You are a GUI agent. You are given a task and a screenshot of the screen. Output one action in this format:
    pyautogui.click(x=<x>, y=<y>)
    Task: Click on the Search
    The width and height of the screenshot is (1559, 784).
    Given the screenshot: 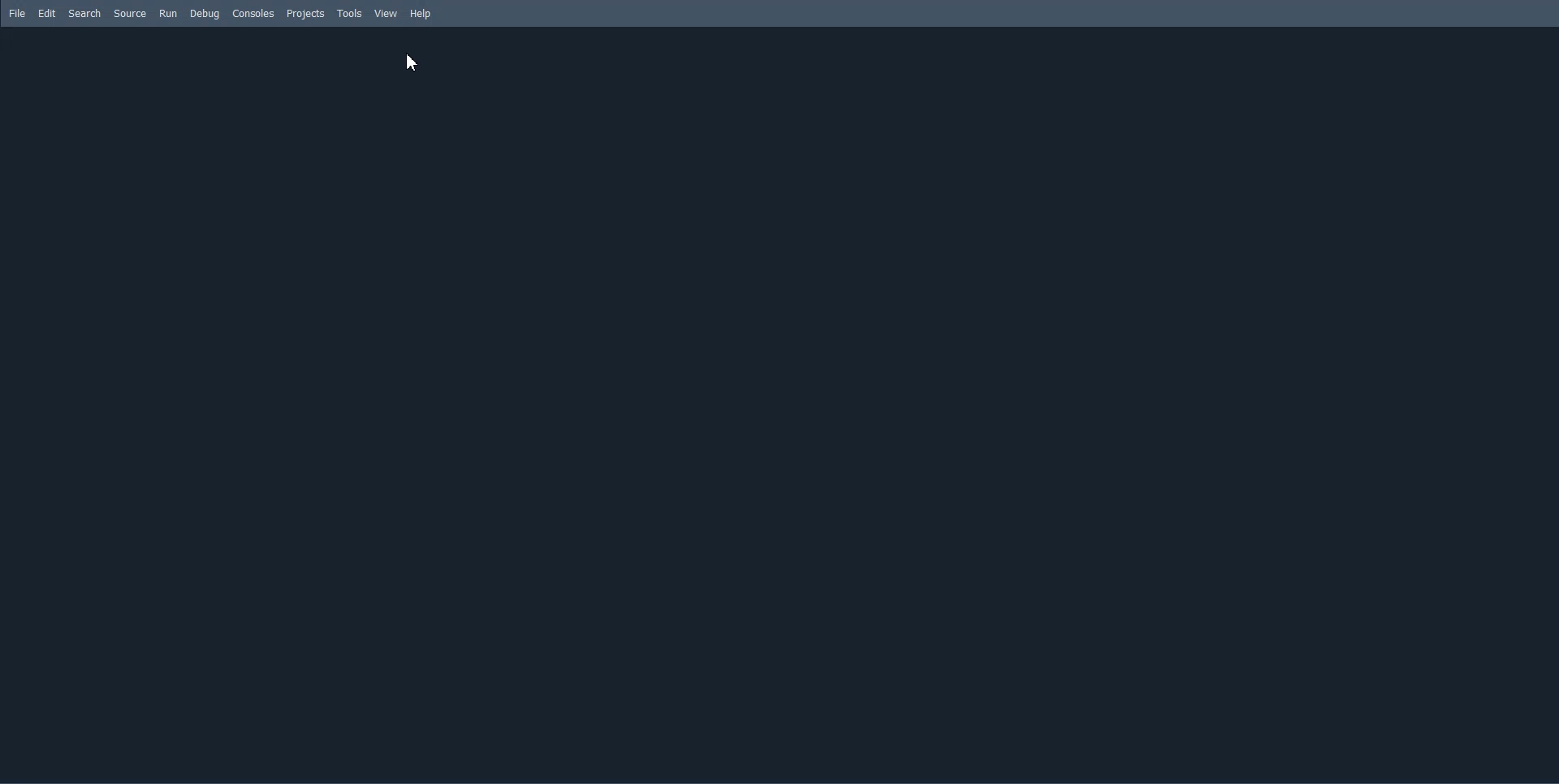 What is the action you would take?
    pyautogui.click(x=84, y=13)
    